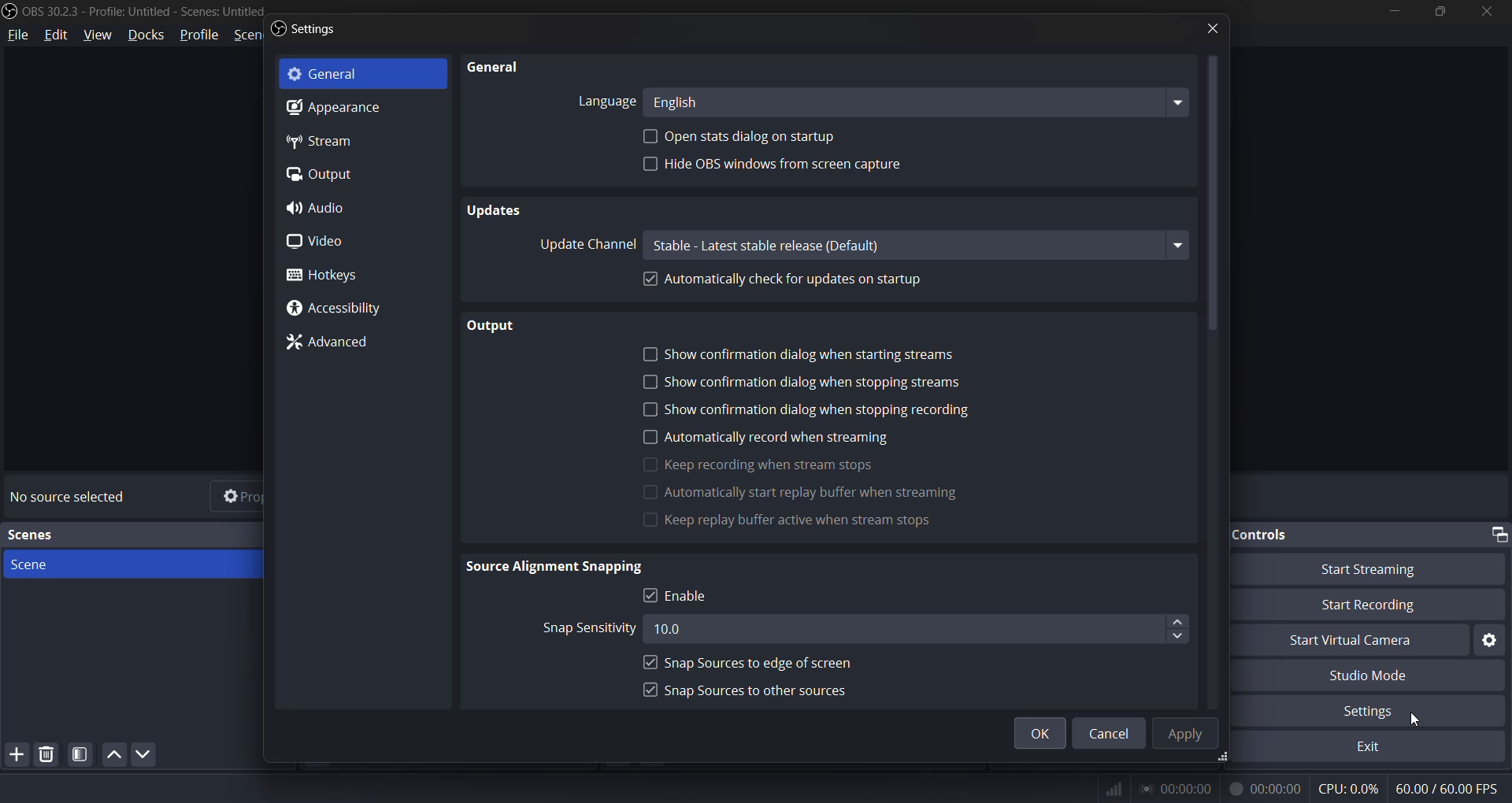 This screenshot has height=803, width=1512. I want to click on show confirmation dialog when starting stream, so click(848, 357).